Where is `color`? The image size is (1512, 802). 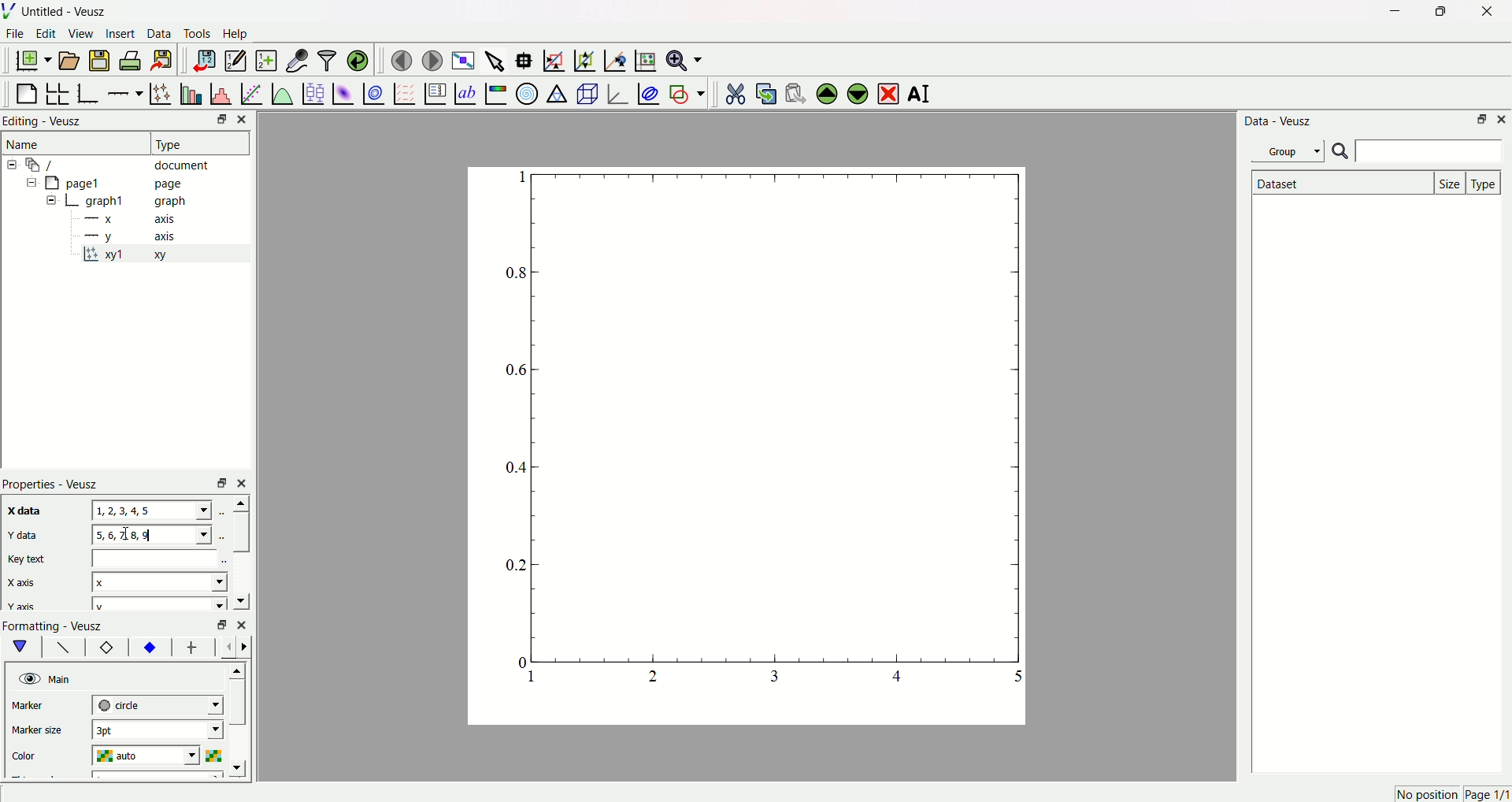
color is located at coordinates (41, 753).